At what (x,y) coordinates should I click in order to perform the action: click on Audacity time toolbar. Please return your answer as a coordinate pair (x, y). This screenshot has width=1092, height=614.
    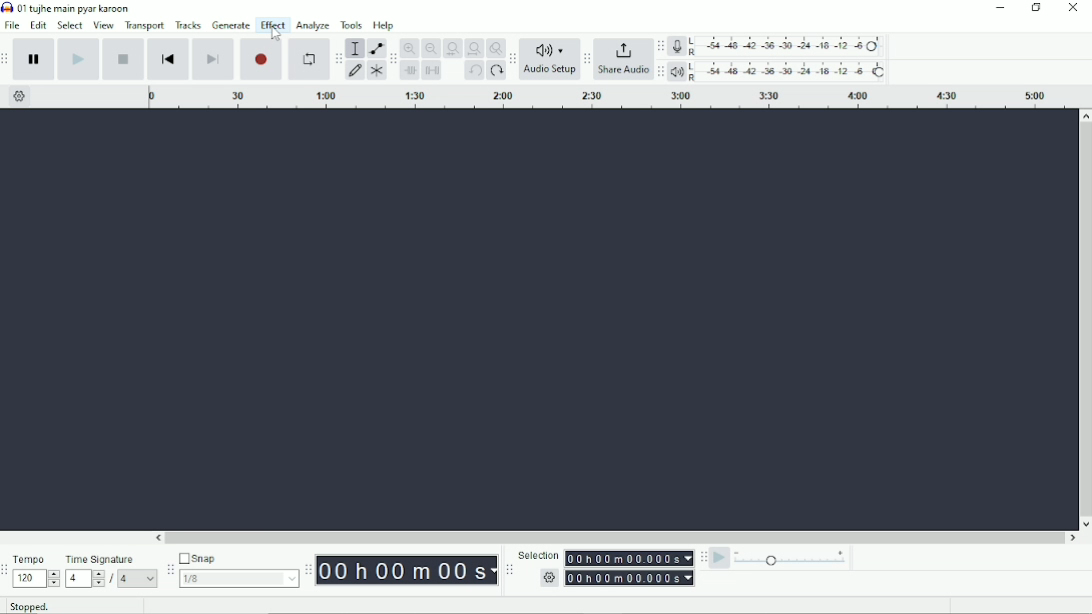
    Looking at the image, I should click on (307, 569).